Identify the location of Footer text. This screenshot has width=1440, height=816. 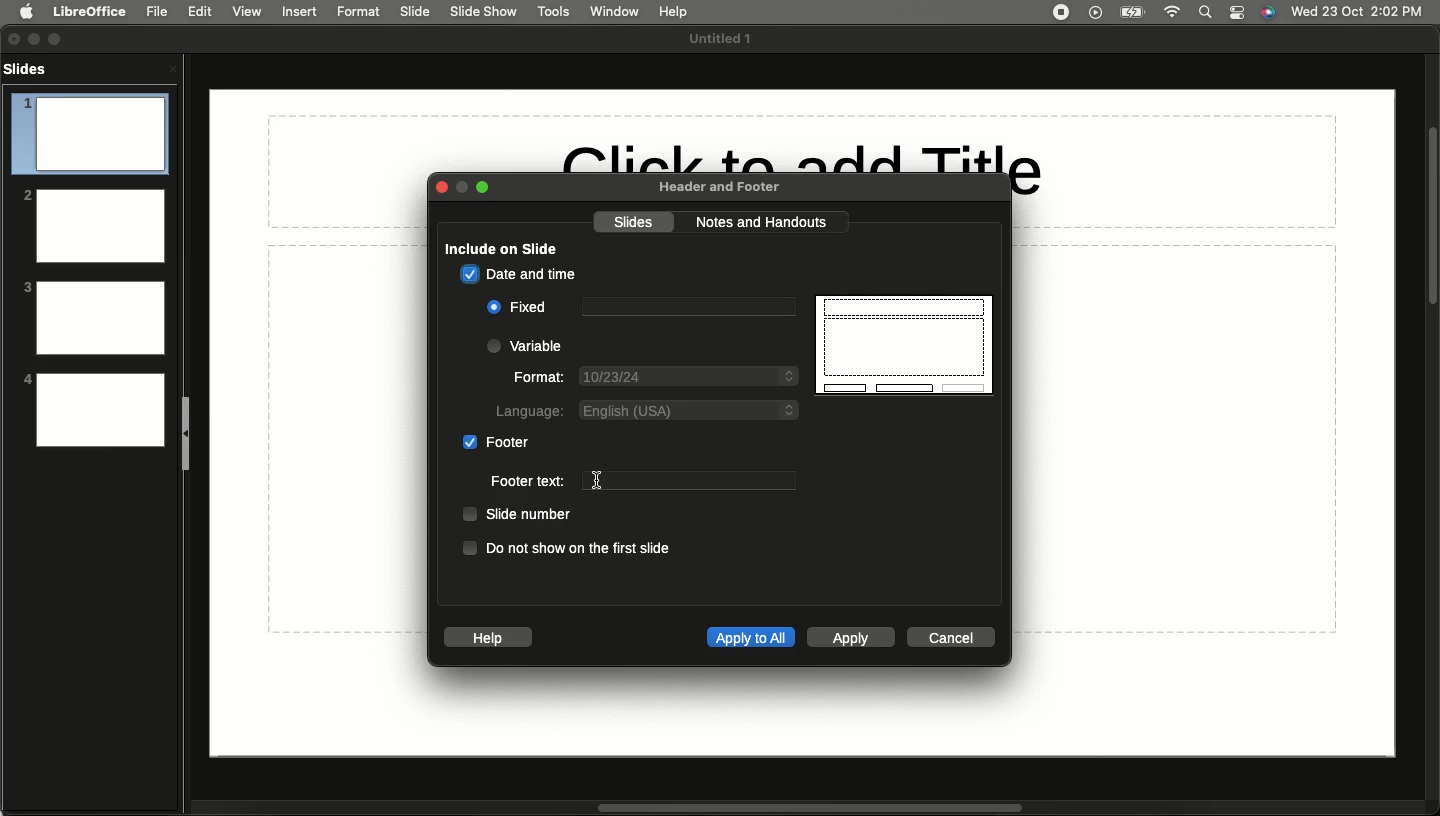
(527, 481).